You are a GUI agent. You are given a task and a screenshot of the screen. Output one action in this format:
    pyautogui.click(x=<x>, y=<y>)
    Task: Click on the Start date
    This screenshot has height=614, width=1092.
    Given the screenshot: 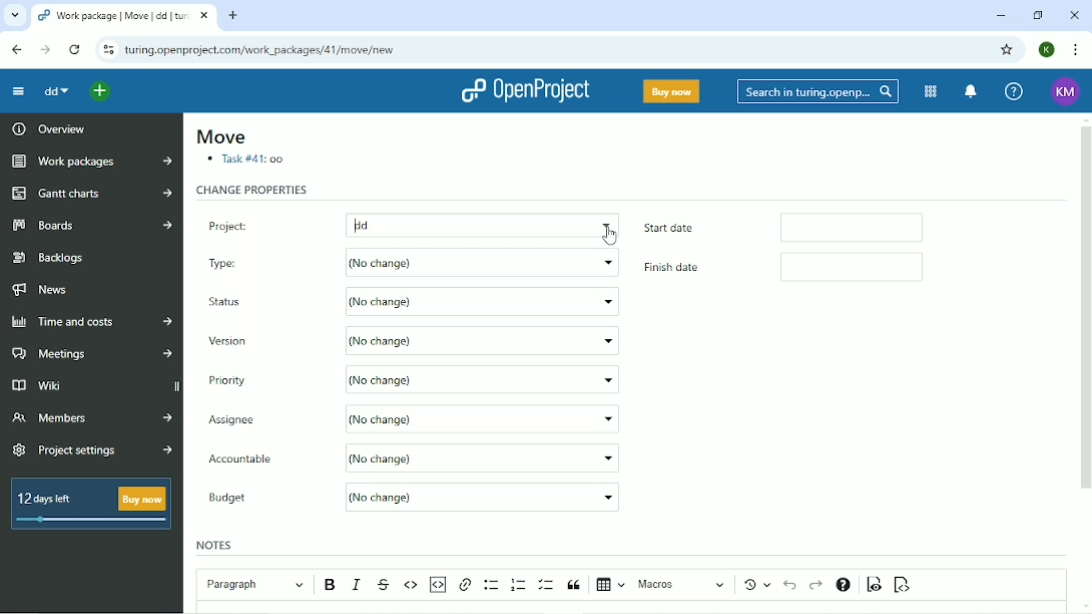 What is the action you would take?
    pyautogui.click(x=698, y=227)
    